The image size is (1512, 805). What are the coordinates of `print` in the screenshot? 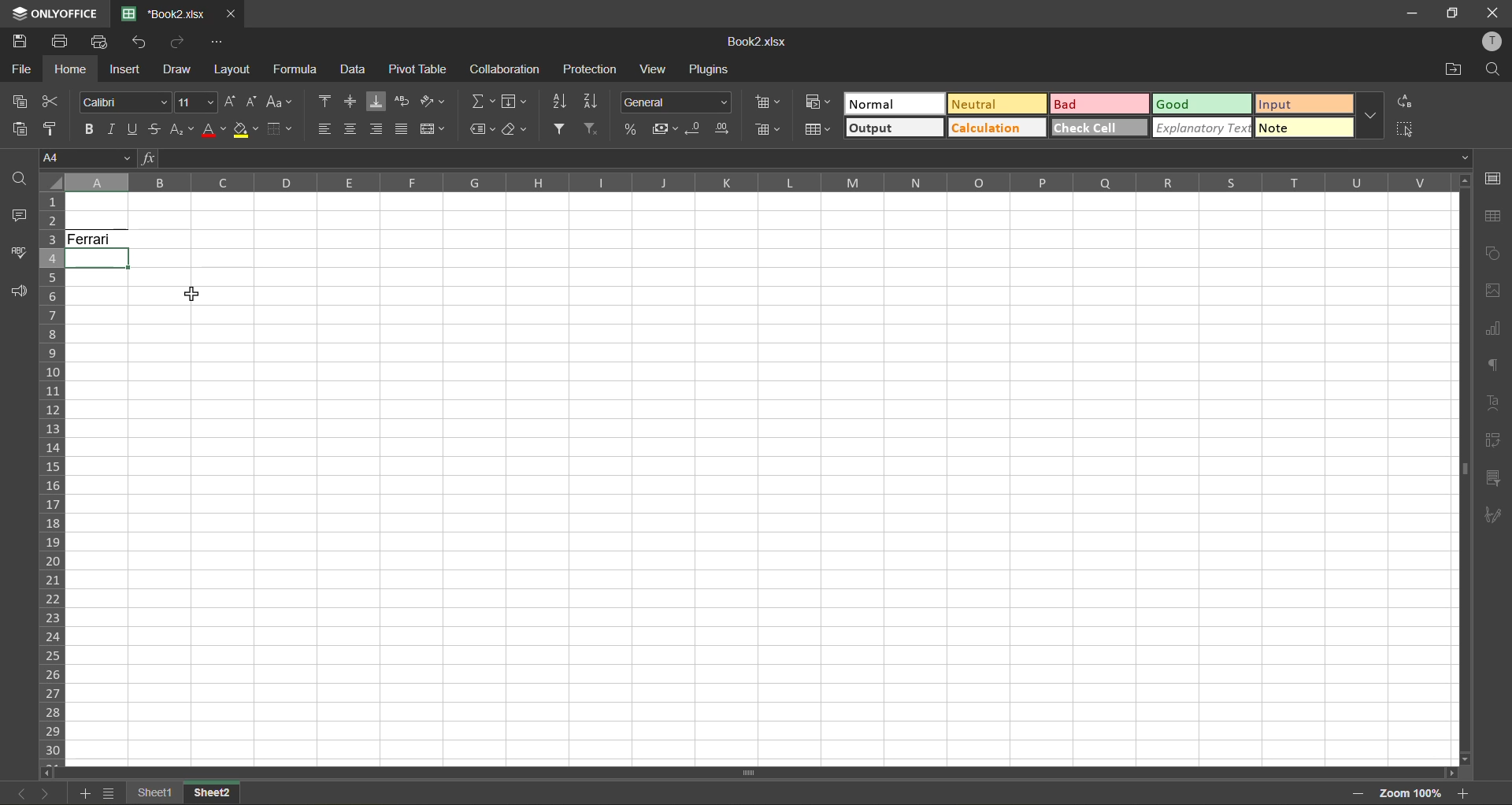 It's located at (61, 39).